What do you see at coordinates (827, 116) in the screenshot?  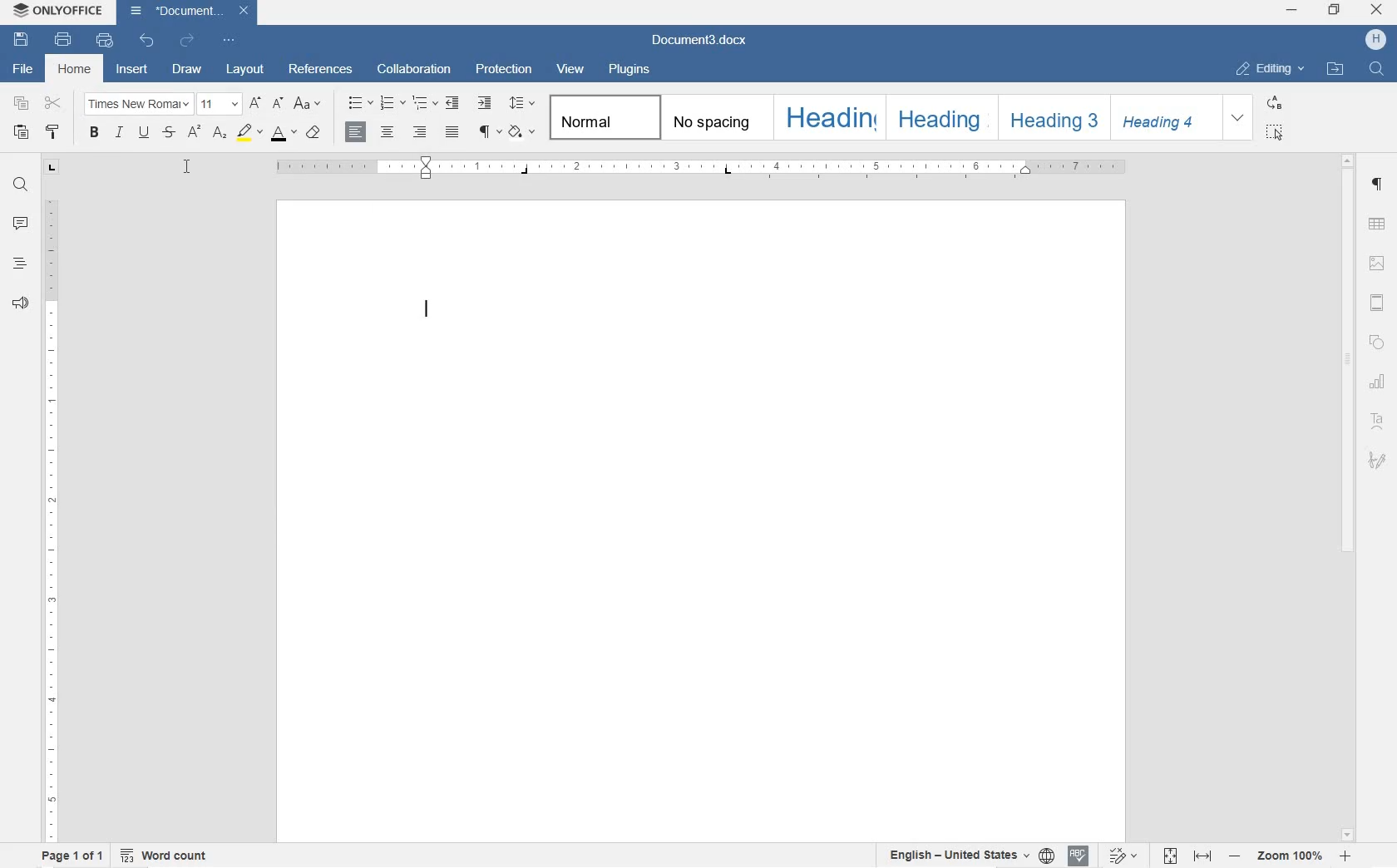 I see `HEADING 1` at bounding box center [827, 116].